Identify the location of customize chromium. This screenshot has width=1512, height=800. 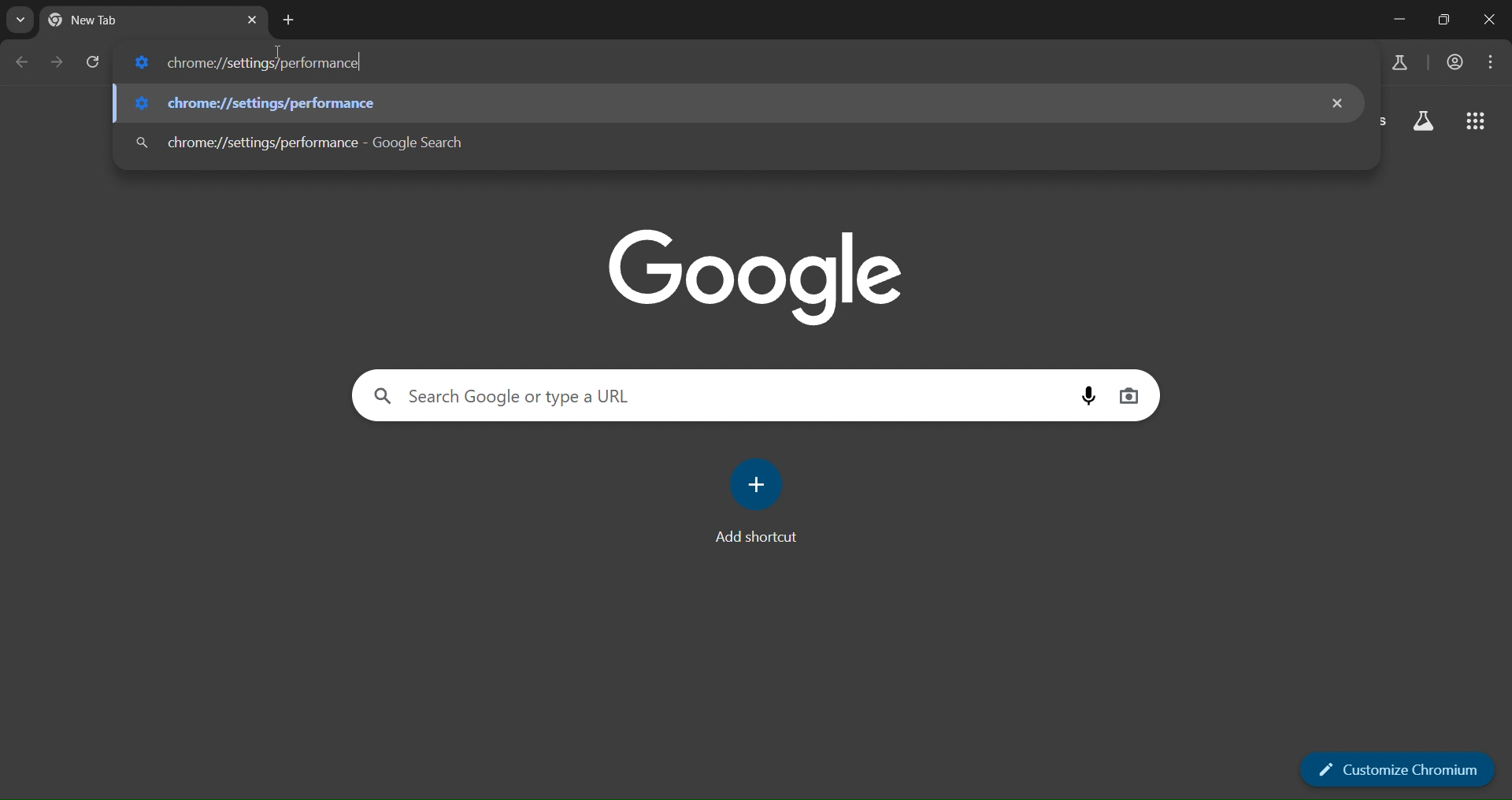
(1401, 771).